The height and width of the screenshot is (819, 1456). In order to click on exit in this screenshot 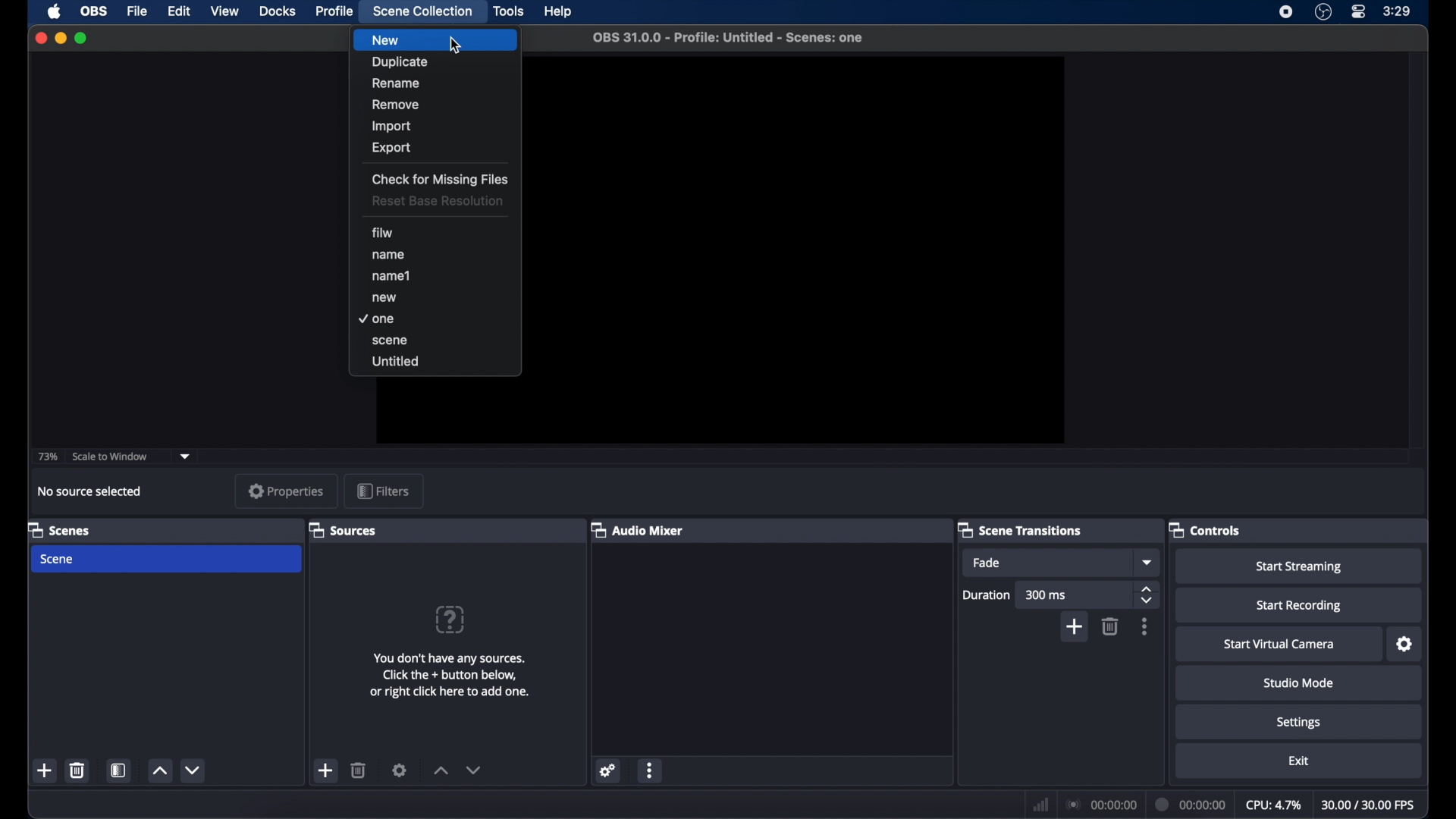, I will do `click(1301, 761)`.